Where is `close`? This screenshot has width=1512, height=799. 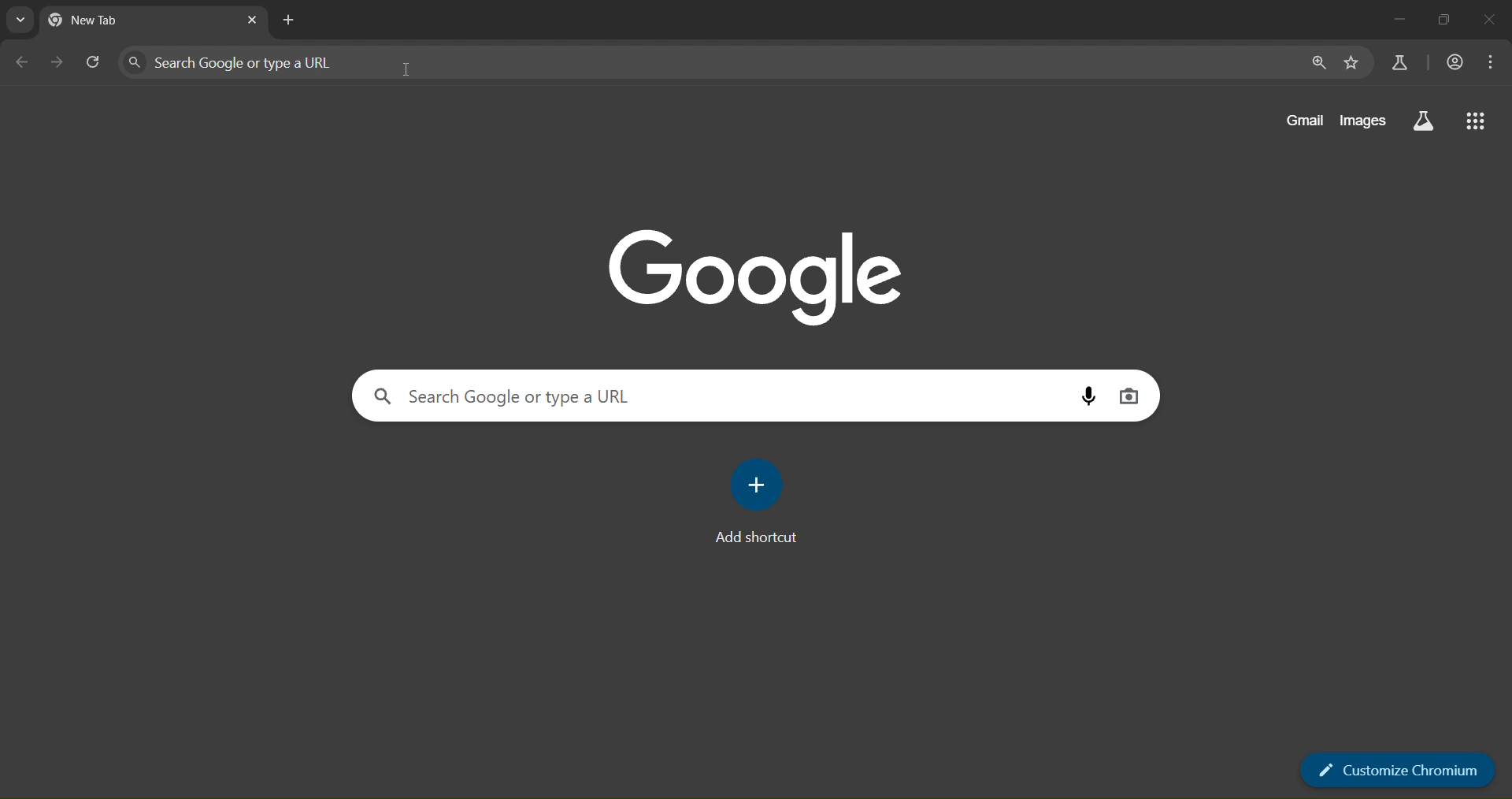
close is located at coordinates (1486, 20).